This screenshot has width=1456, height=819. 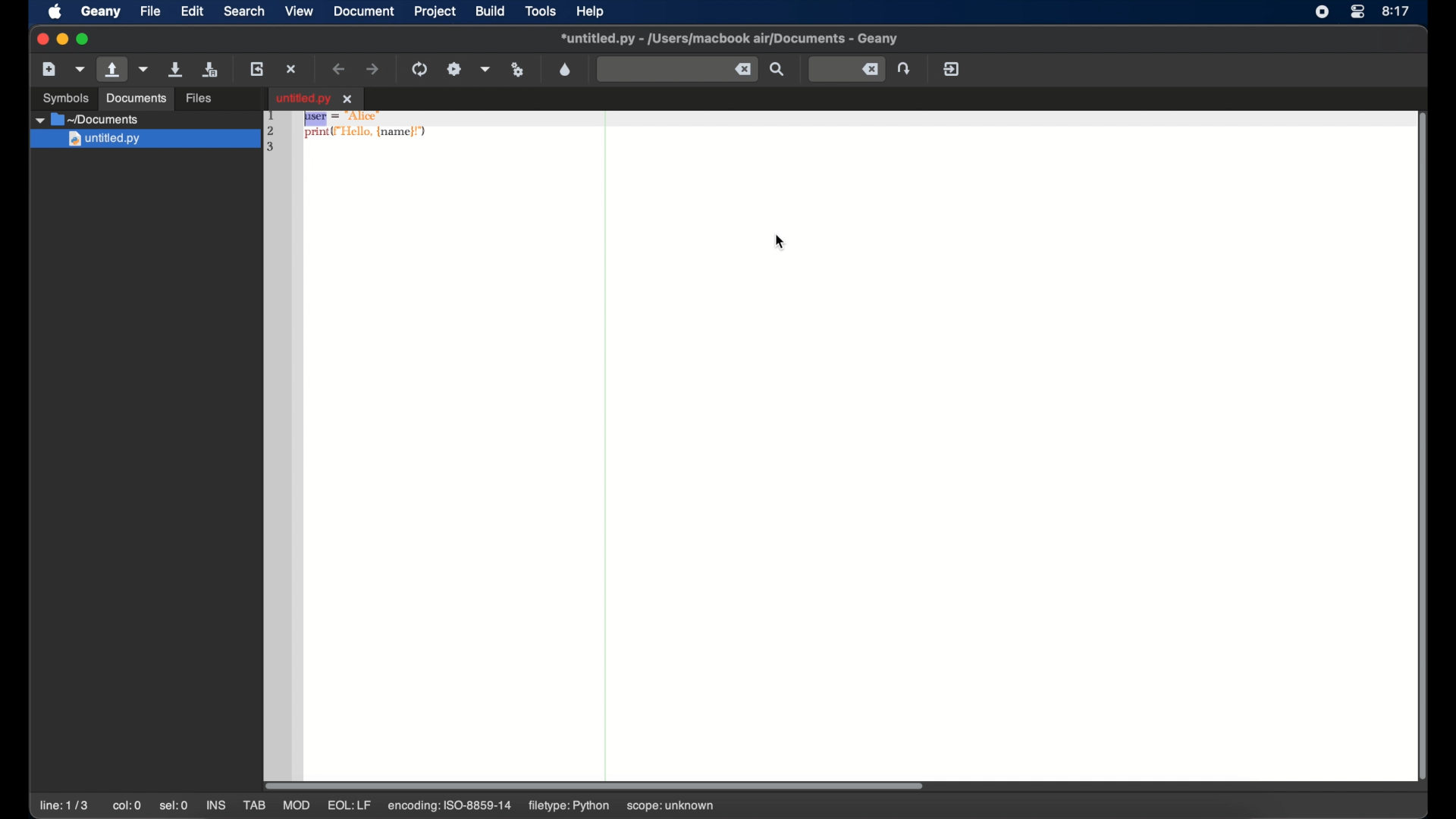 What do you see at coordinates (299, 11) in the screenshot?
I see `view` at bounding box center [299, 11].